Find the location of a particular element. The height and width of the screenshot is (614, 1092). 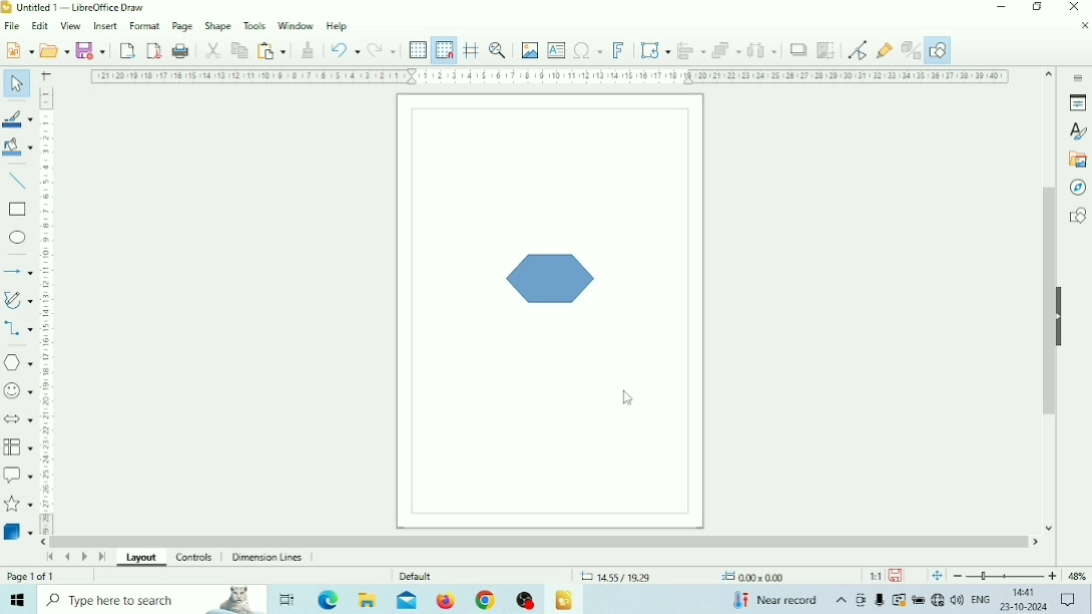

View is located at coordinates (72, 27).